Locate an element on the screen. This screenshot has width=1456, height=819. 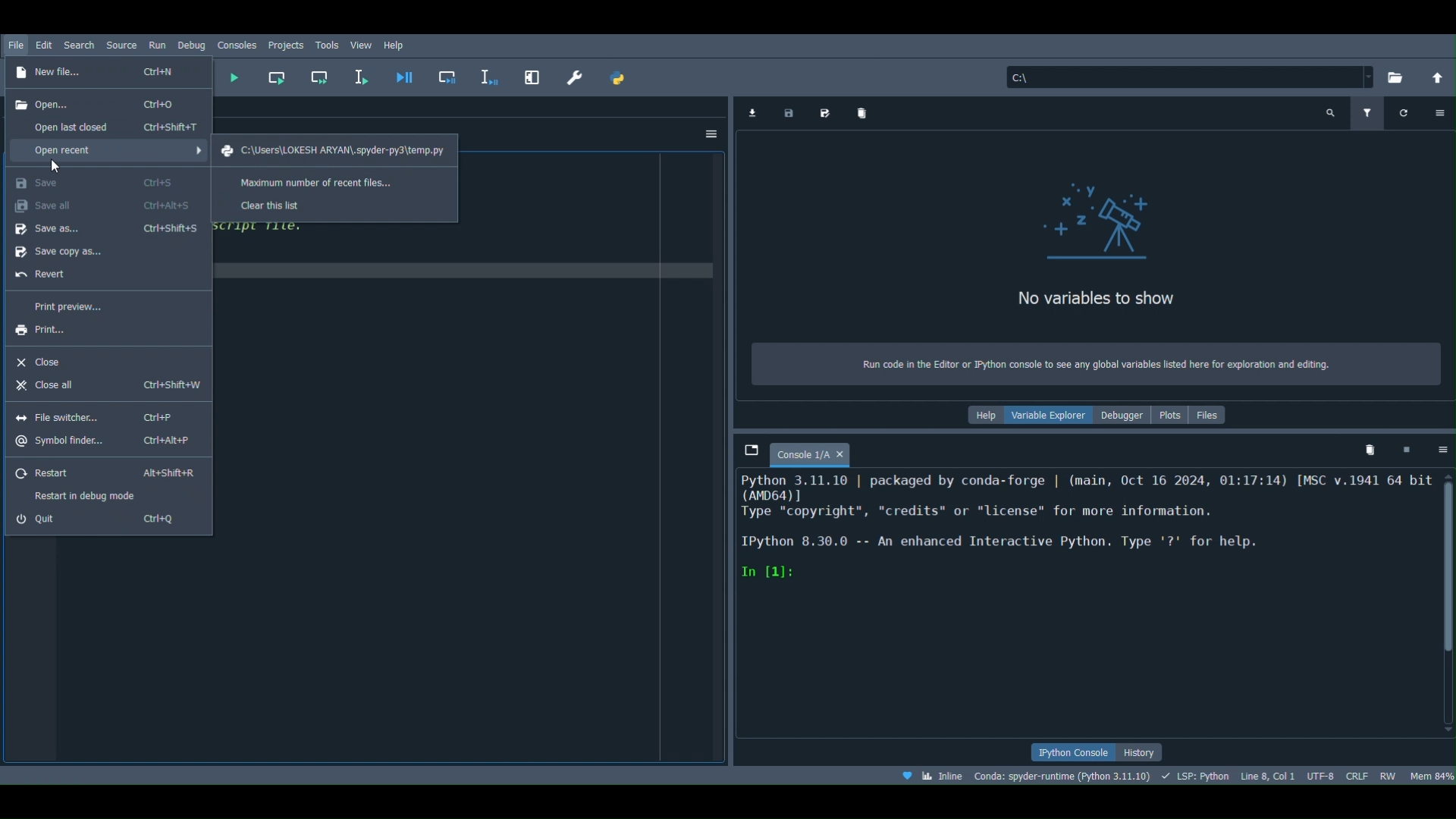
Open recent is located at coordinates (109, 149).